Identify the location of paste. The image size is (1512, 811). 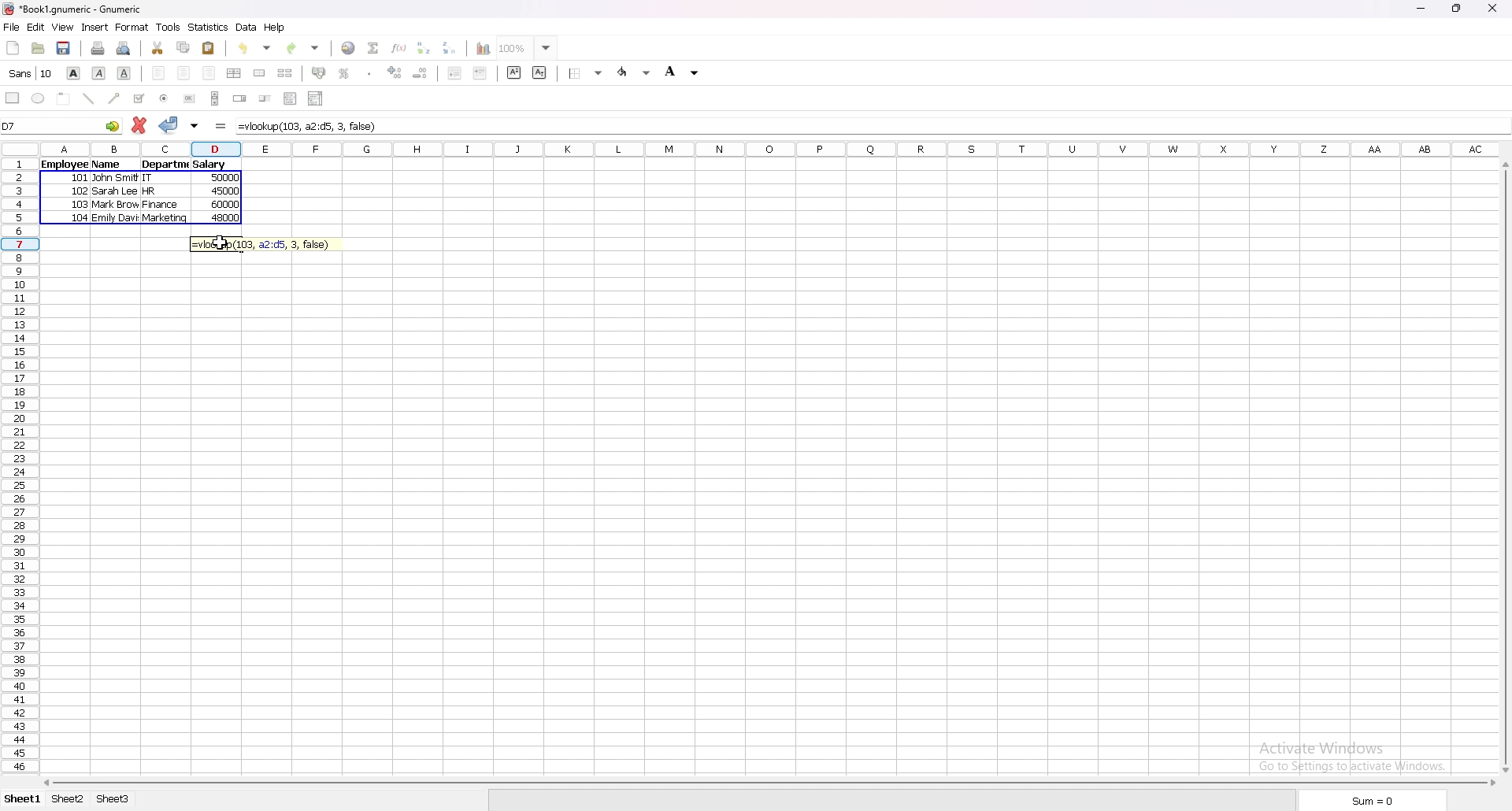
(209, 48).